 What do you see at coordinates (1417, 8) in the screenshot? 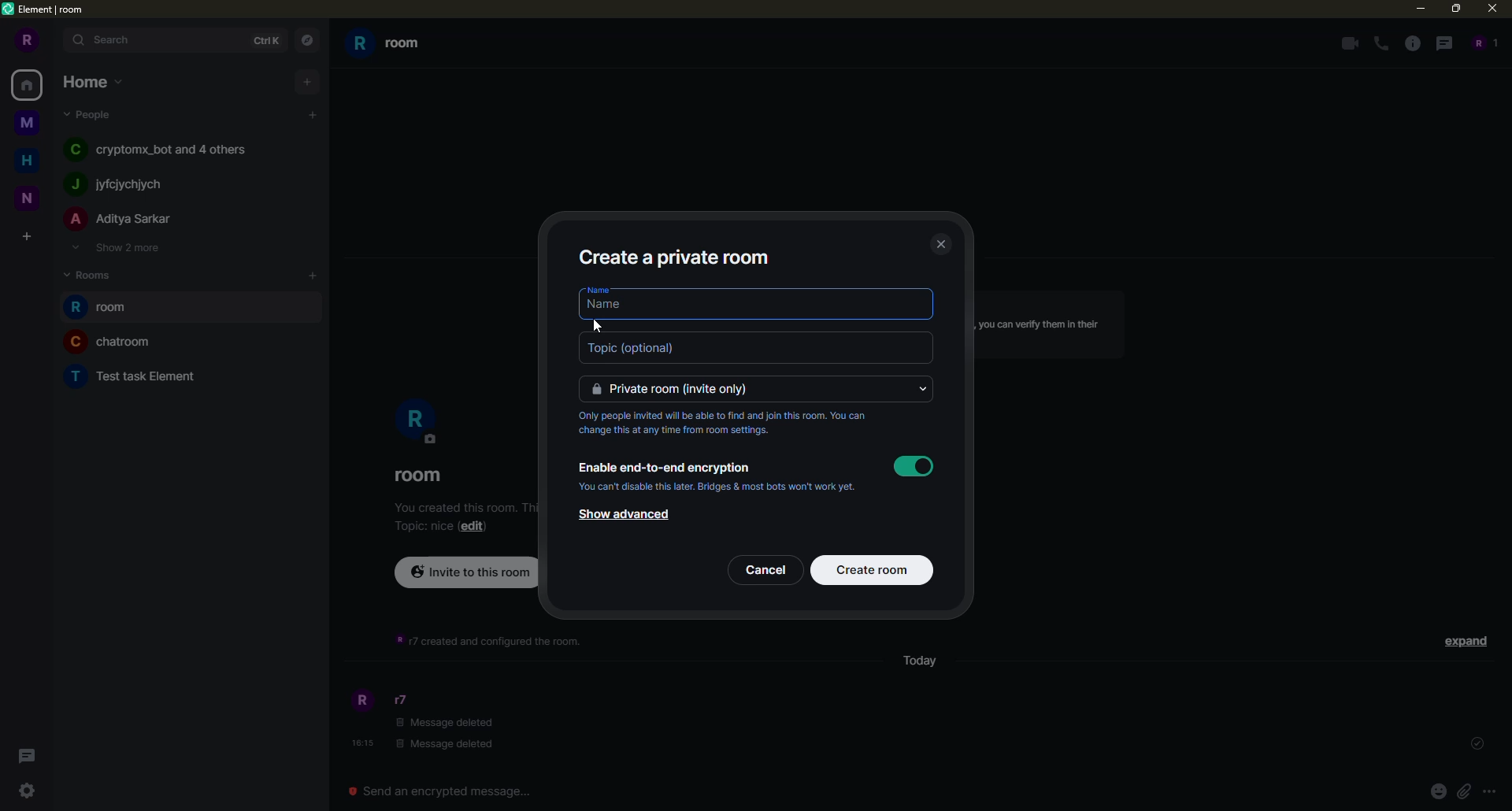
I see `minimize` at bounding box center [1417, 8].